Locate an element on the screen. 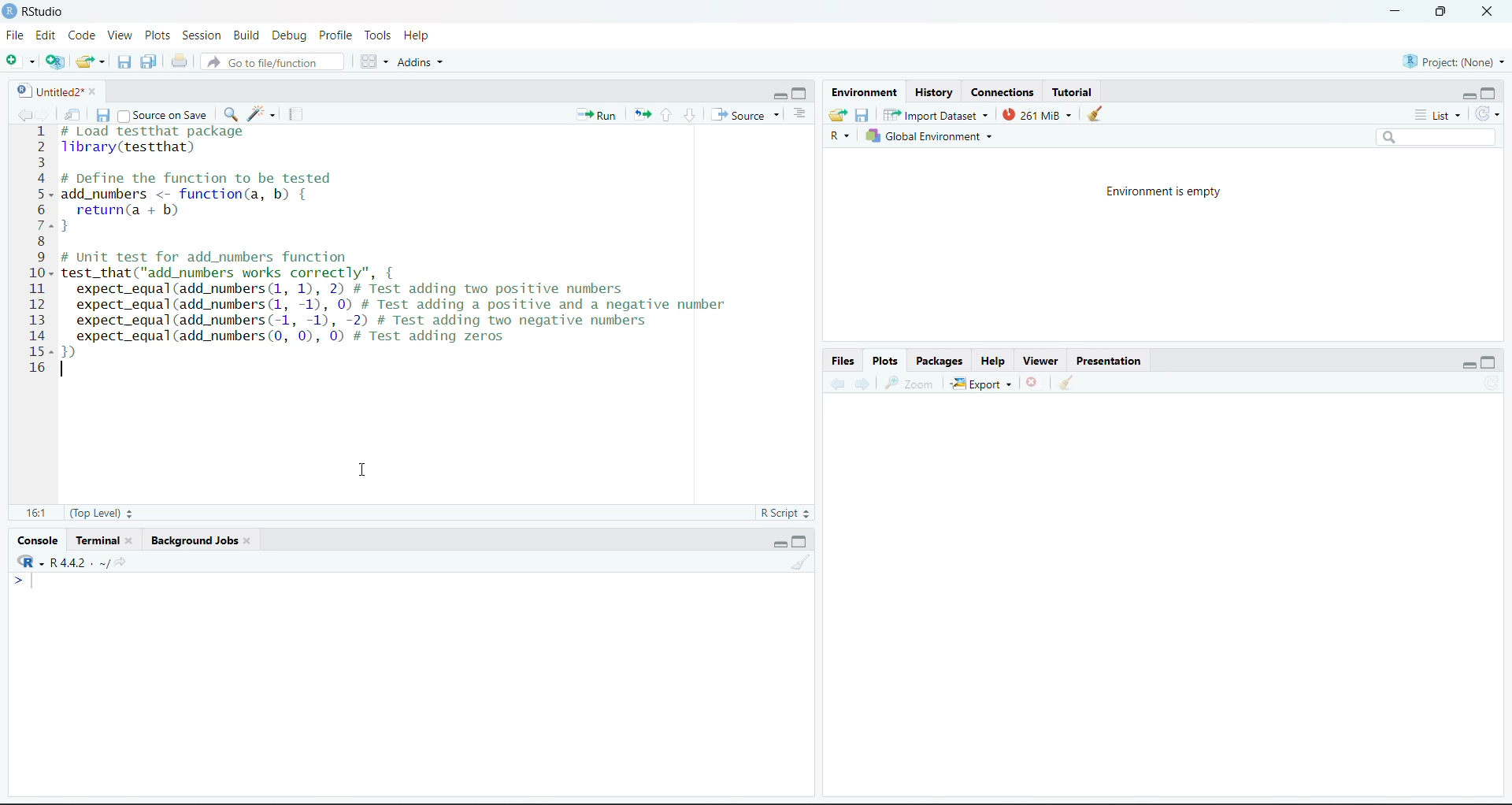 The image size is (1512, 805). Open existing folder is located at coordinates (89, 61).